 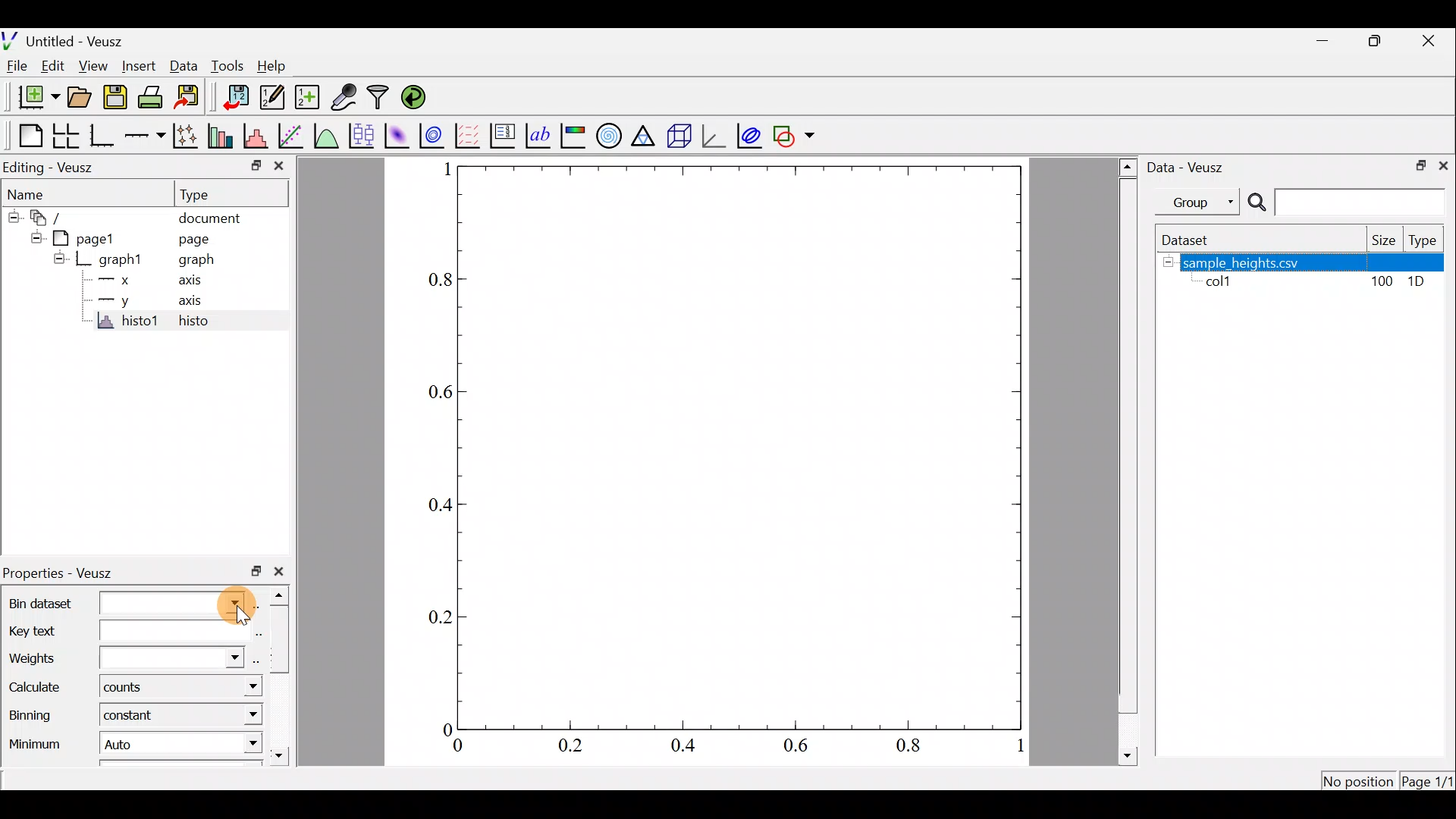 What do you see at coordinates (1225, 283) in the screenshot?
I see `coll` at bounding box center [1225, 283].